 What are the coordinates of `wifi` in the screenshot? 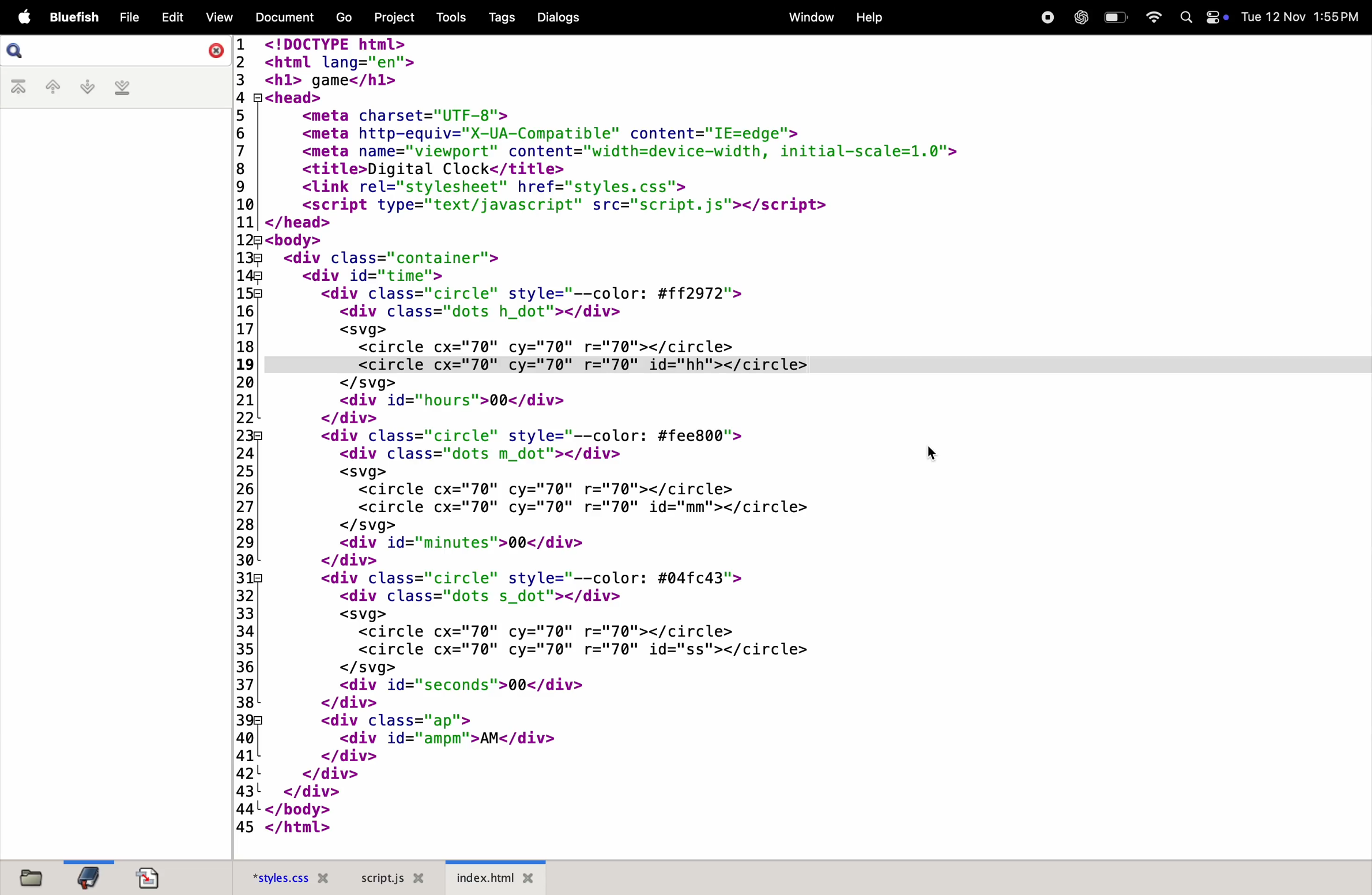 It's located at (1152, 17).